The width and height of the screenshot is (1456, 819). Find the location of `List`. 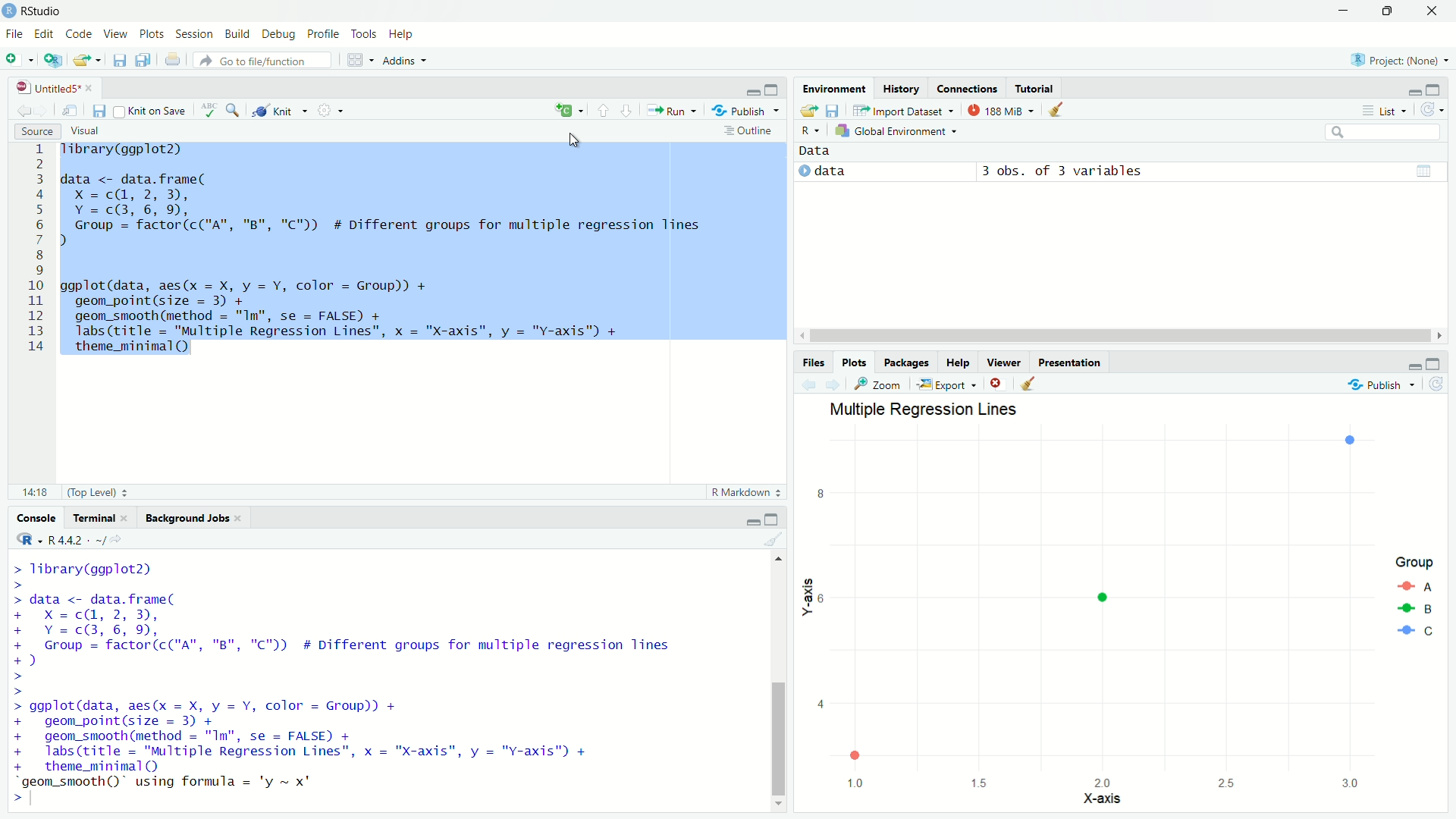

List is located at coordinates (1382, 109).